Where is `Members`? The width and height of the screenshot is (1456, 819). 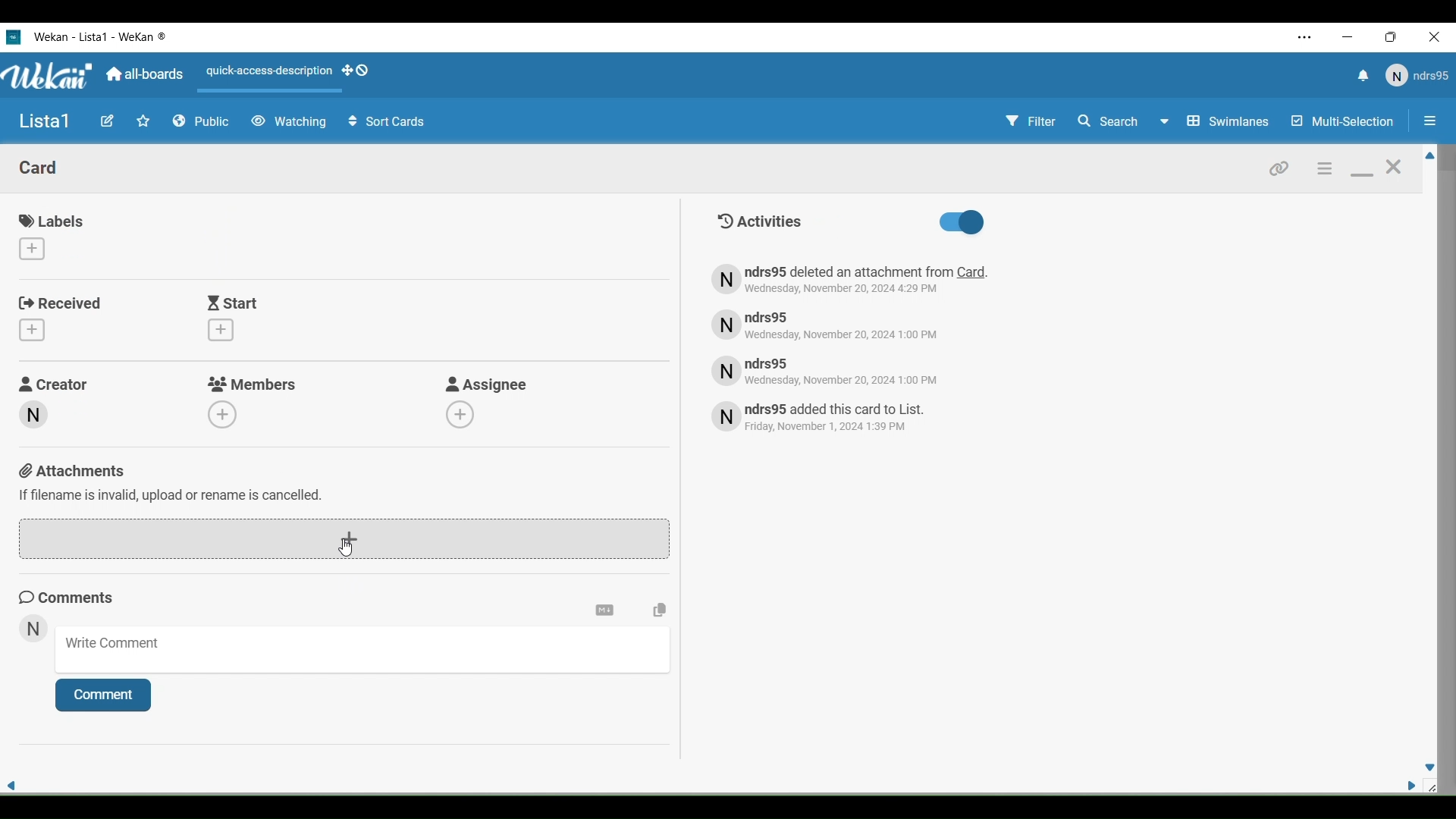 Members is located at coordinates (253, 384).